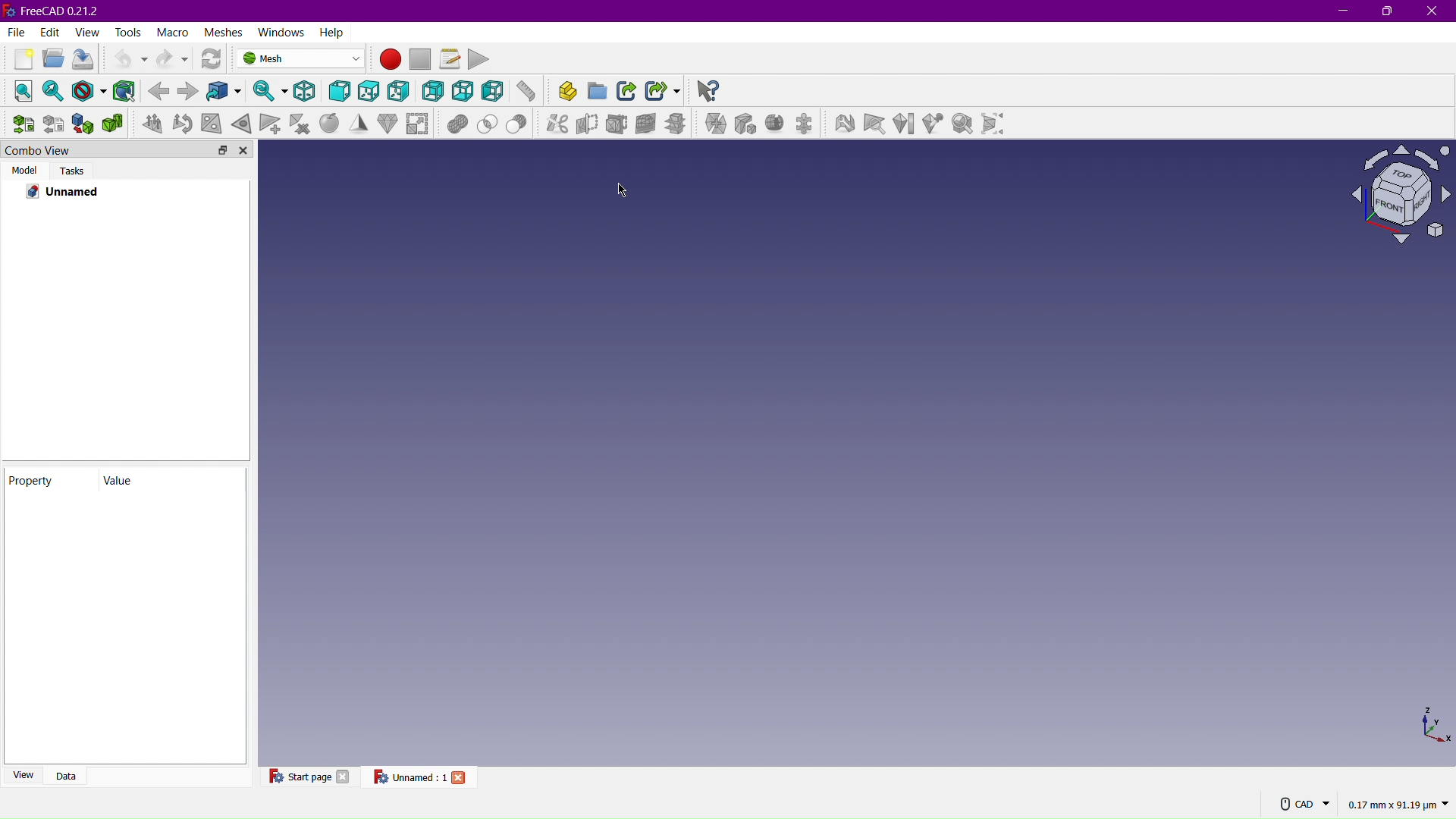 The image size is (1456, 819). I want to click on What's This?, so click(708, 90).